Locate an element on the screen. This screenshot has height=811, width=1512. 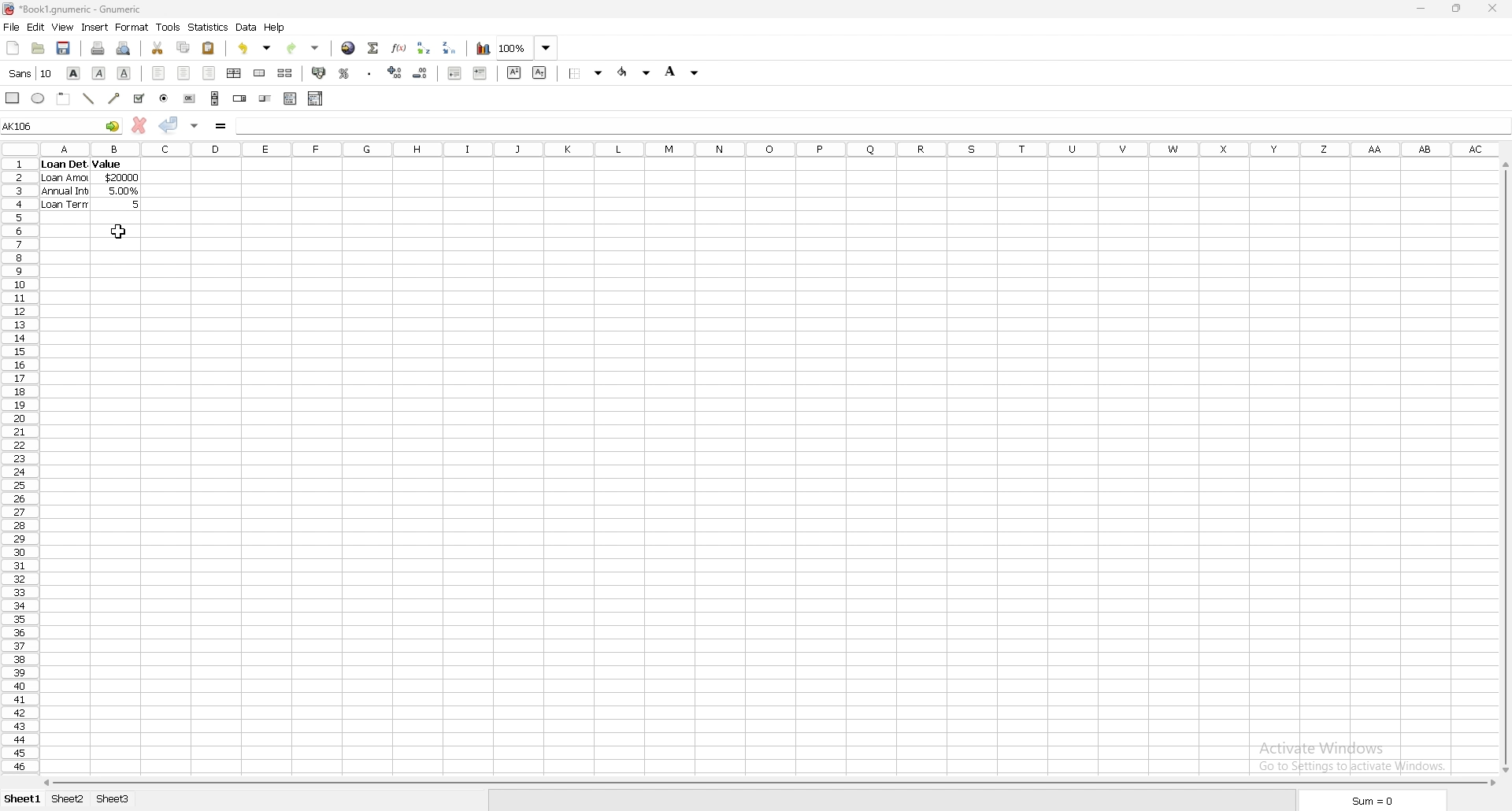
italic is located at coordinates (98, 73).